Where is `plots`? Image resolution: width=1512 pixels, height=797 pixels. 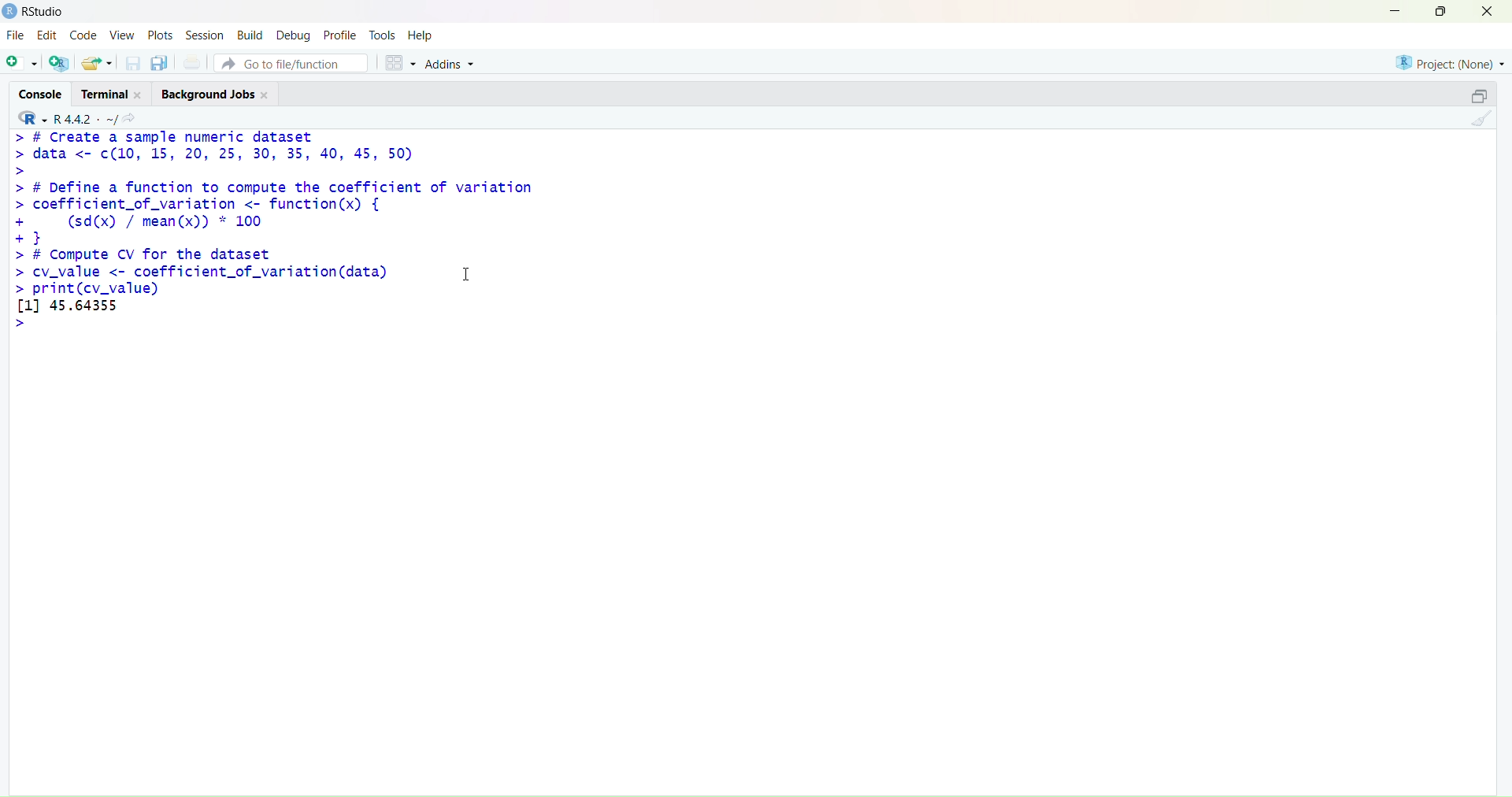
plots is located at coordinates (161, 35).